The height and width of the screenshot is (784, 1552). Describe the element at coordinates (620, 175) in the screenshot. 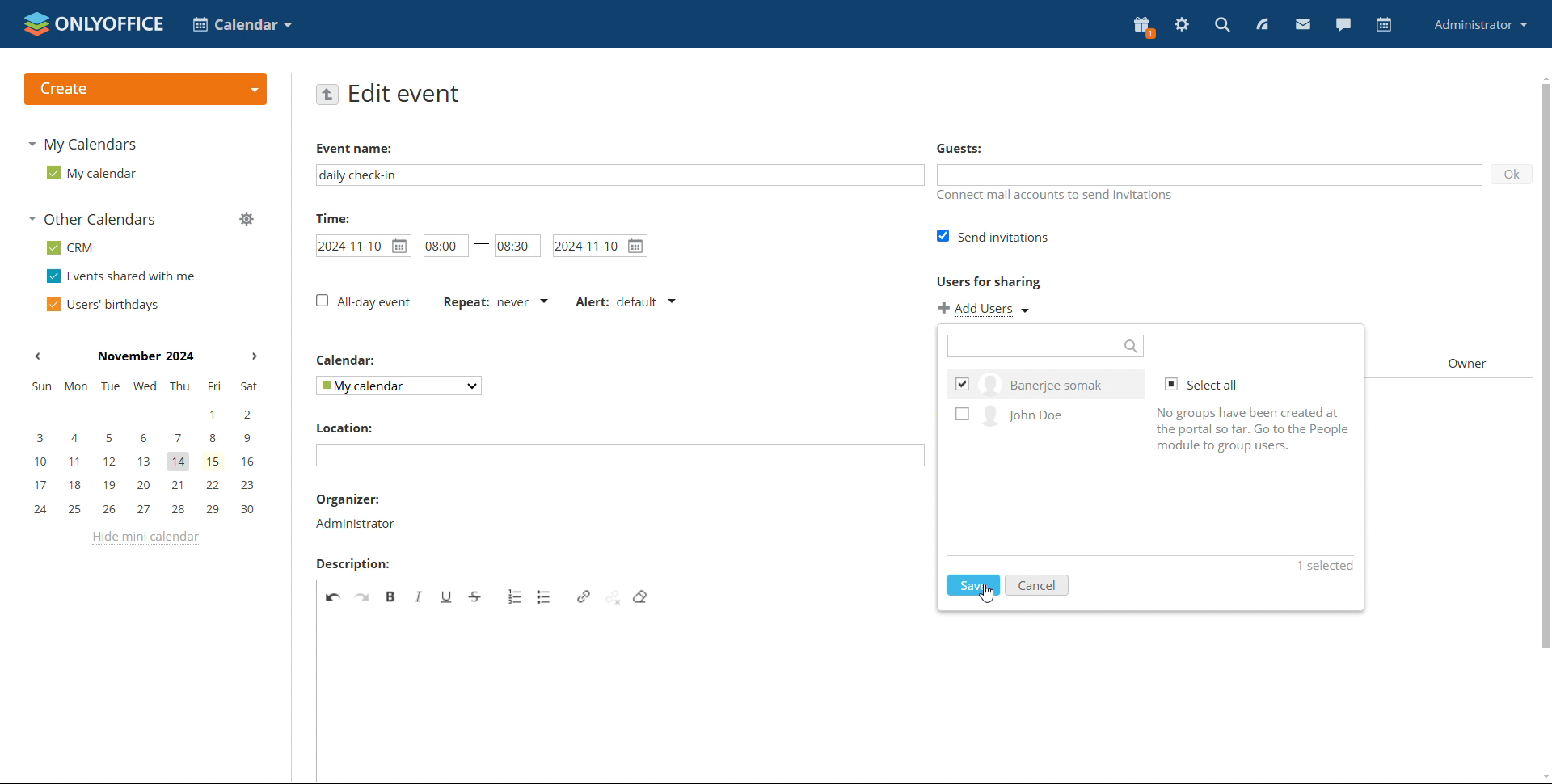

I see `add event name` at that location.